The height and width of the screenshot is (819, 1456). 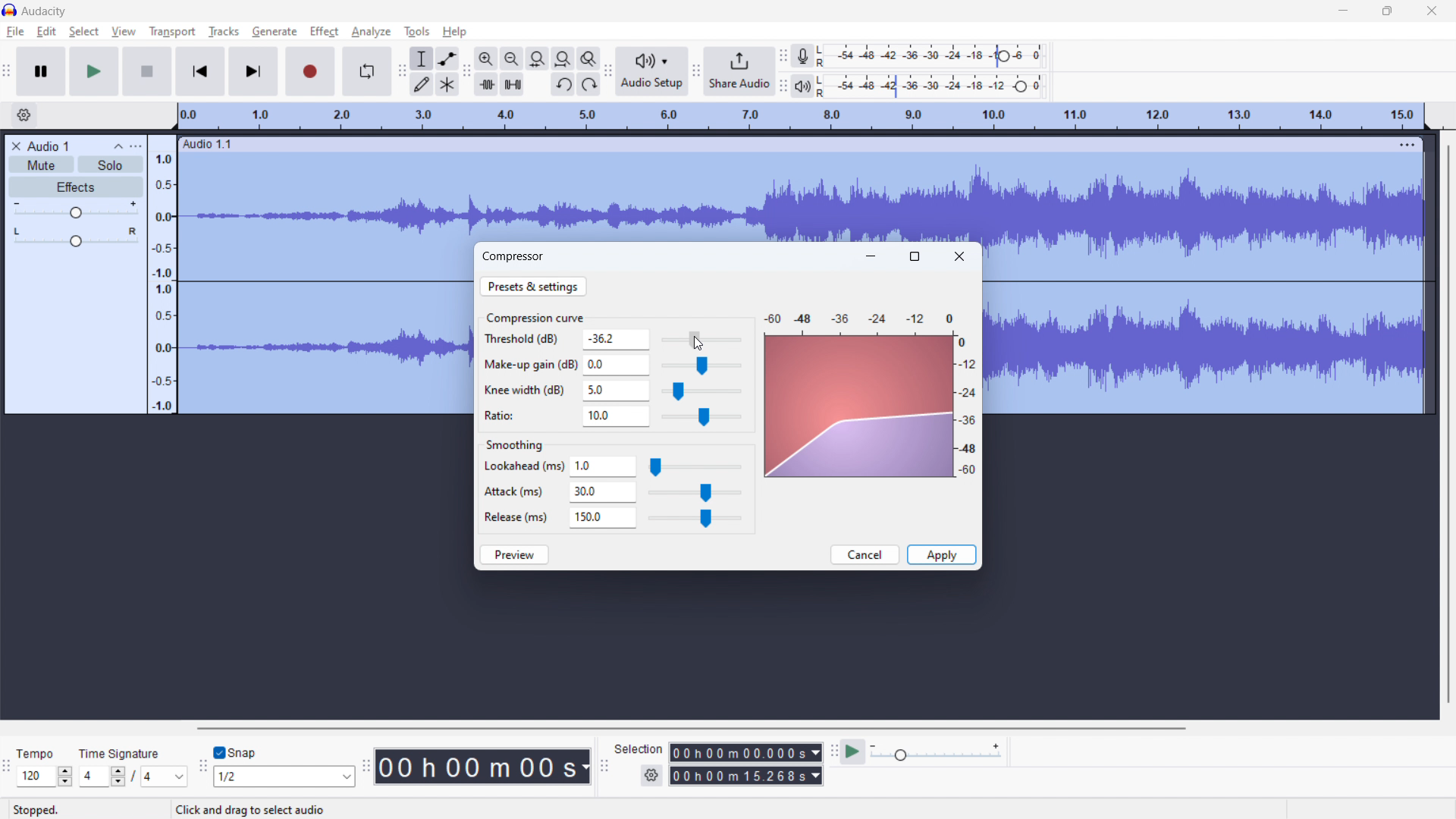 I want to click on zoom out, so click(x=512, y=58).